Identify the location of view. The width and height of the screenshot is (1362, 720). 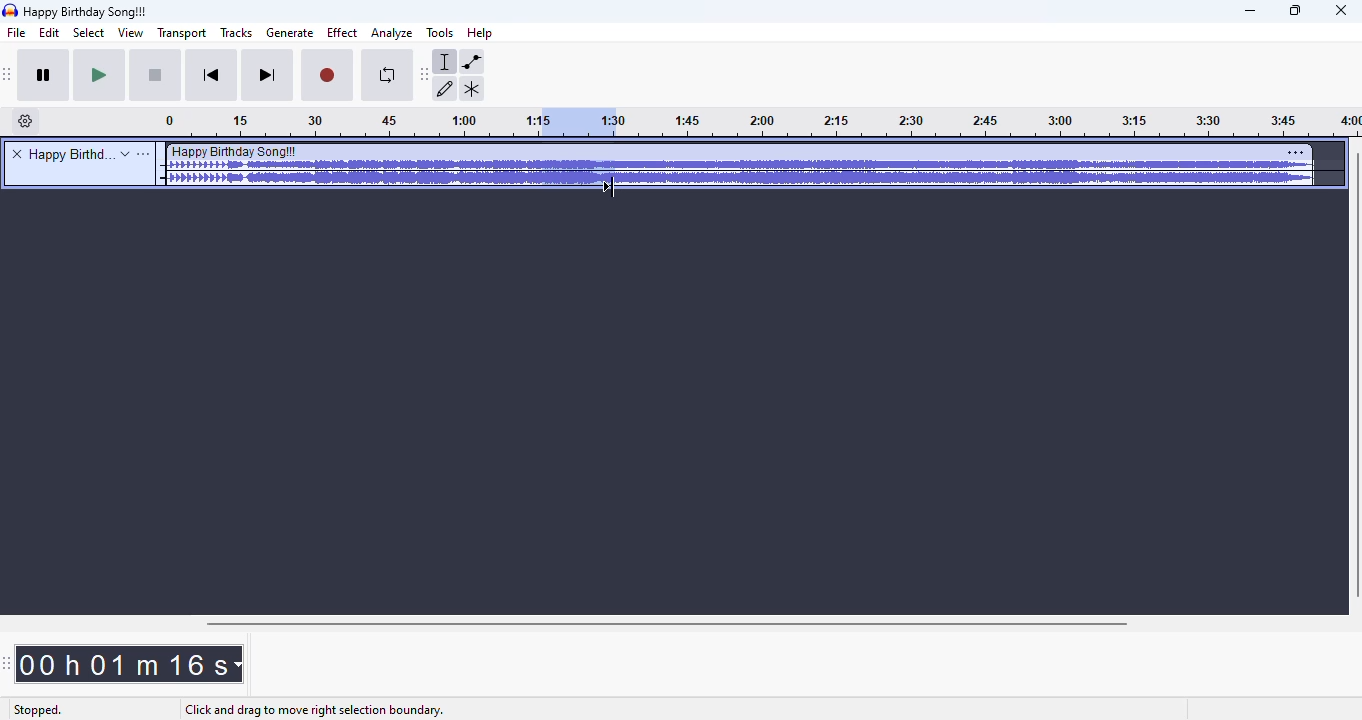
(129, 33).